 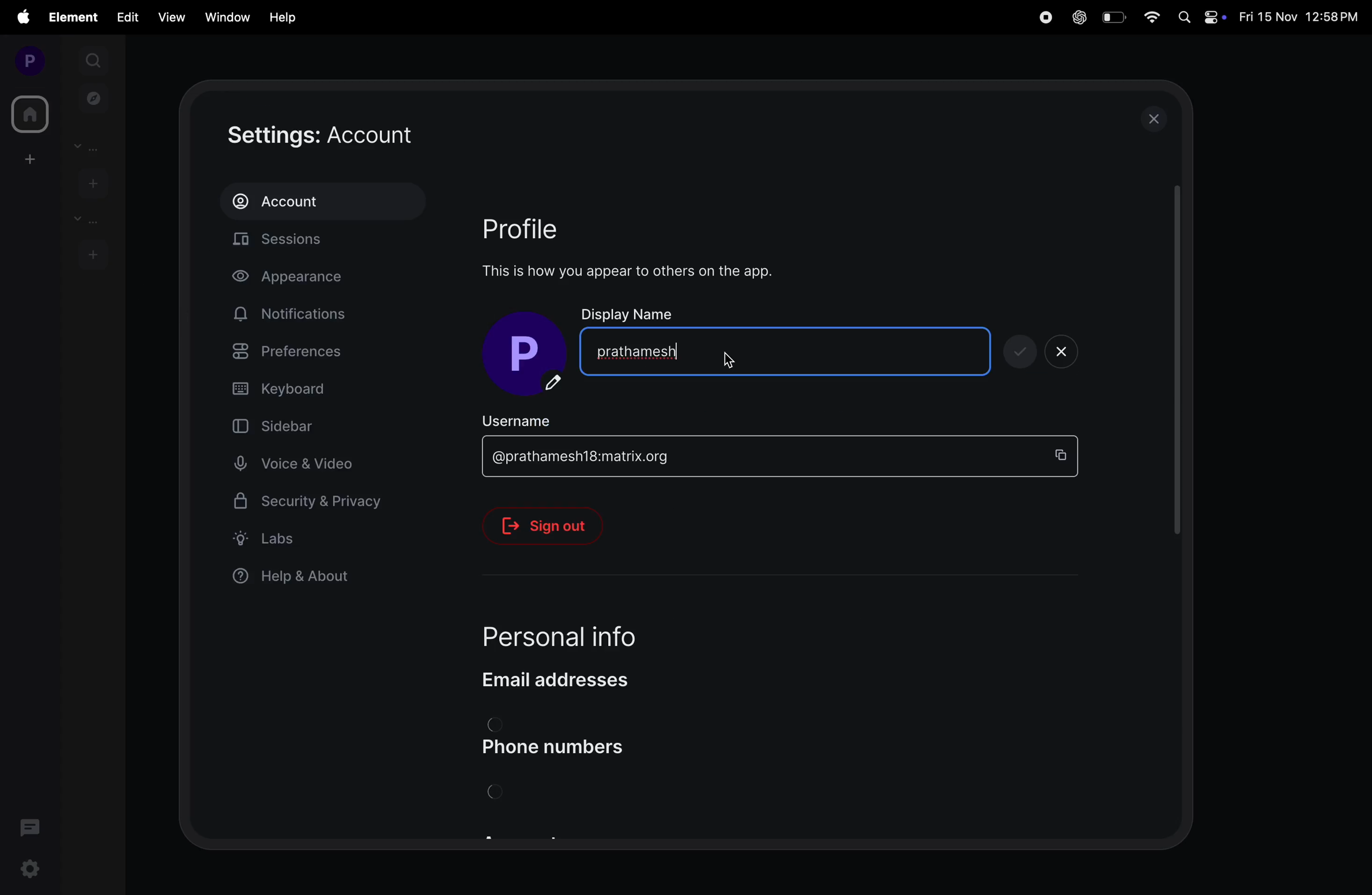 I want to click on settings account, so click(x=360, y=136).